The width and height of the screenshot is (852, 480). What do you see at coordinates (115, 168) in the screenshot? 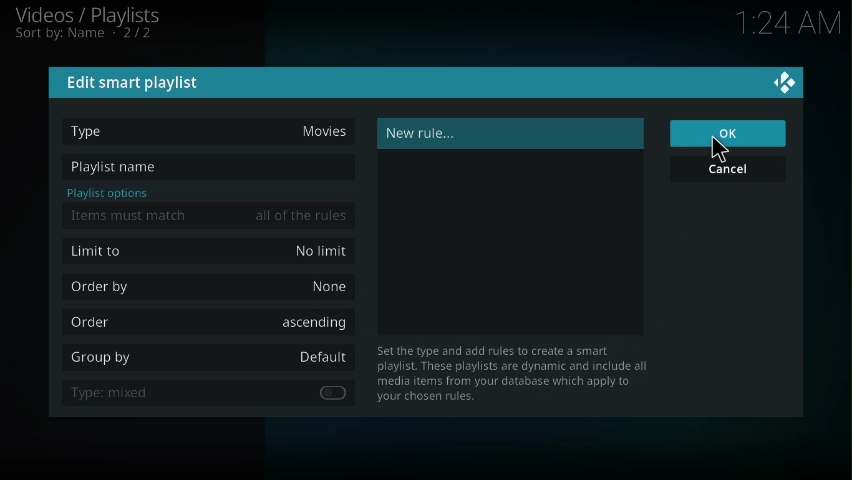
I see `playlist name` at bounding box center [115, 168].